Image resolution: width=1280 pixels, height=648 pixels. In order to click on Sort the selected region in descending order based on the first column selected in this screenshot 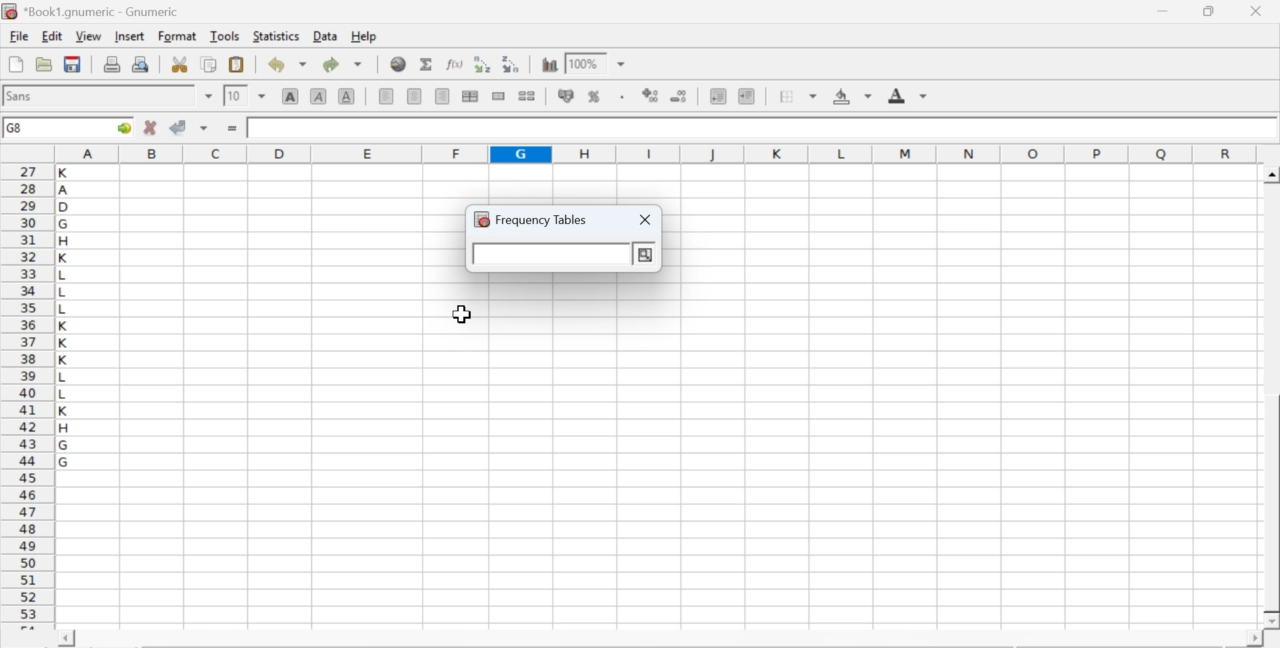, I will do `click(512, 62)`.